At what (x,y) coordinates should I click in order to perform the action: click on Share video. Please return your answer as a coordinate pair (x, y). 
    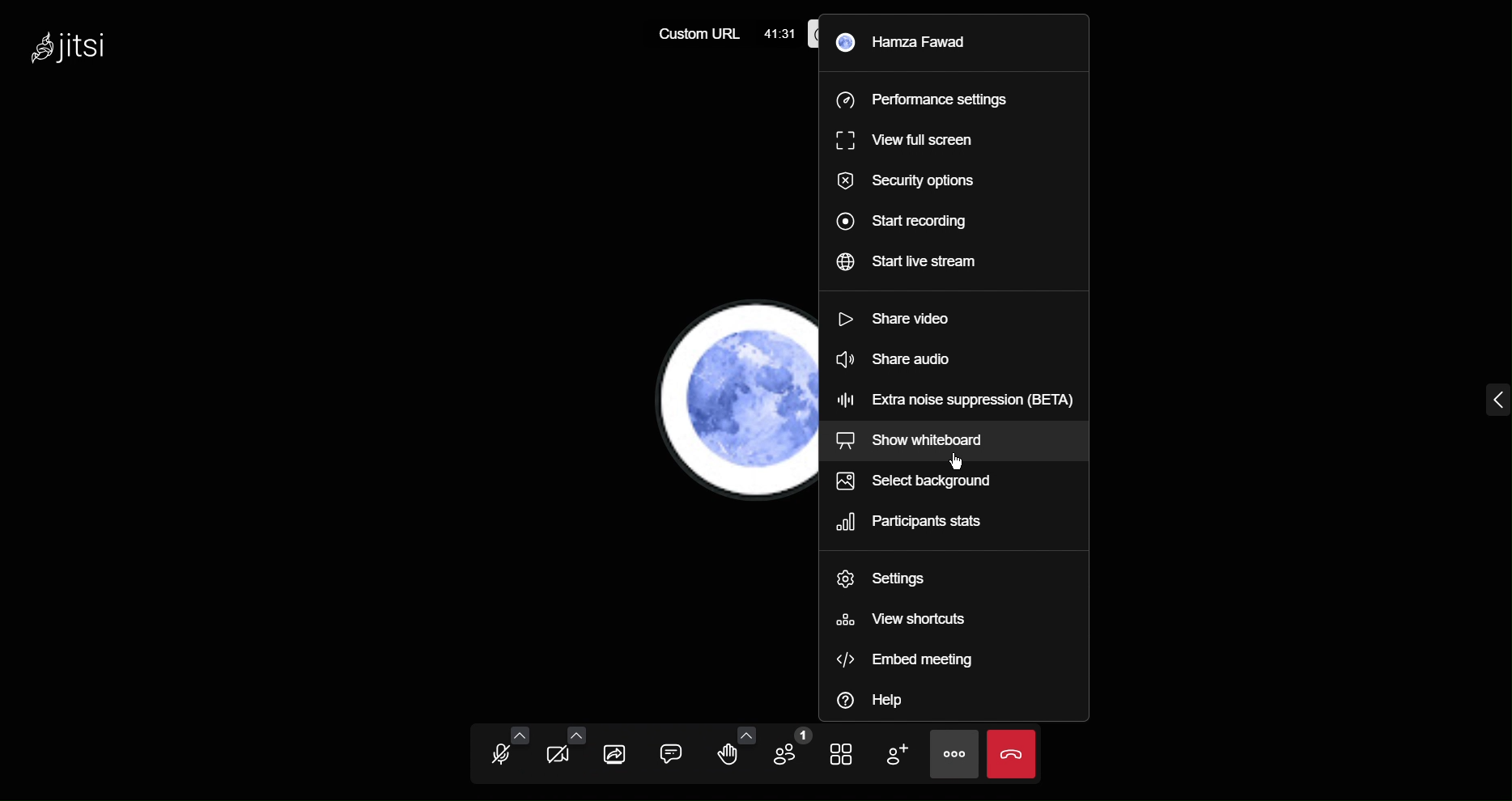
    Looking at the image, I should click on (896, 324).